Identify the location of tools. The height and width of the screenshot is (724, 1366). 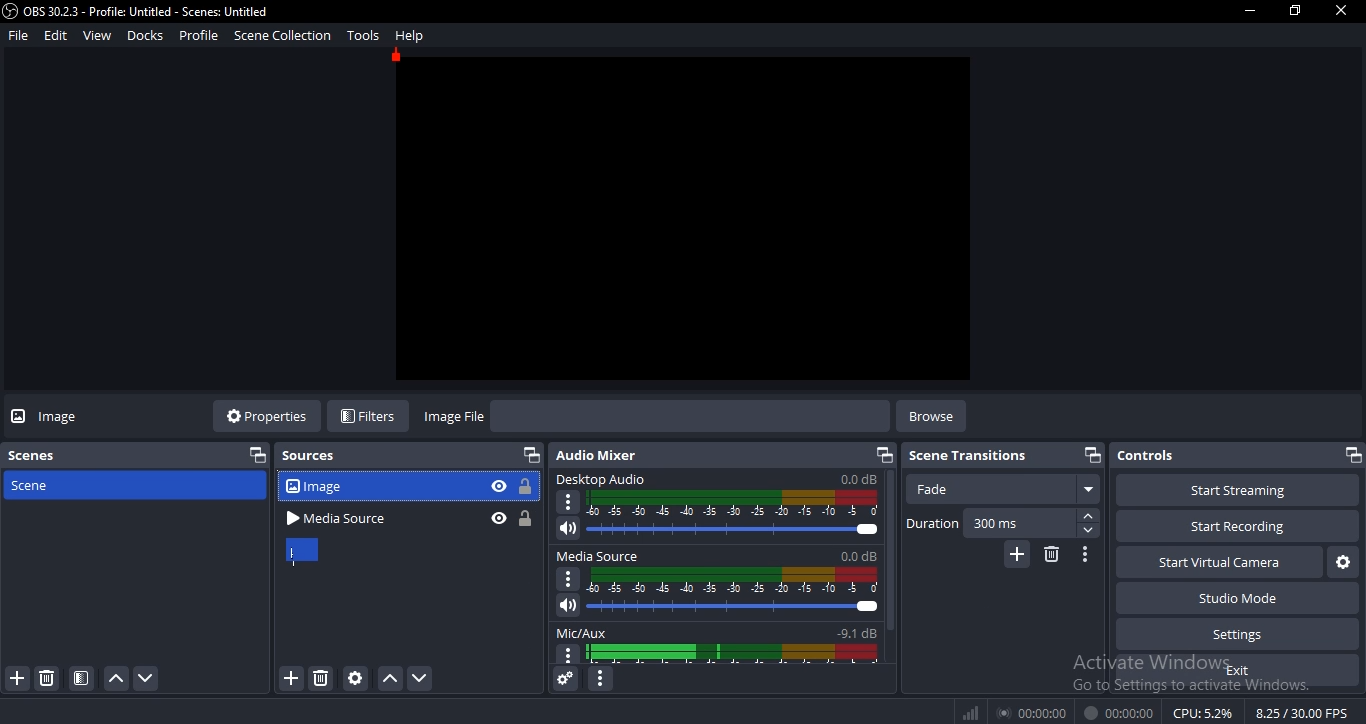
(363, 35).